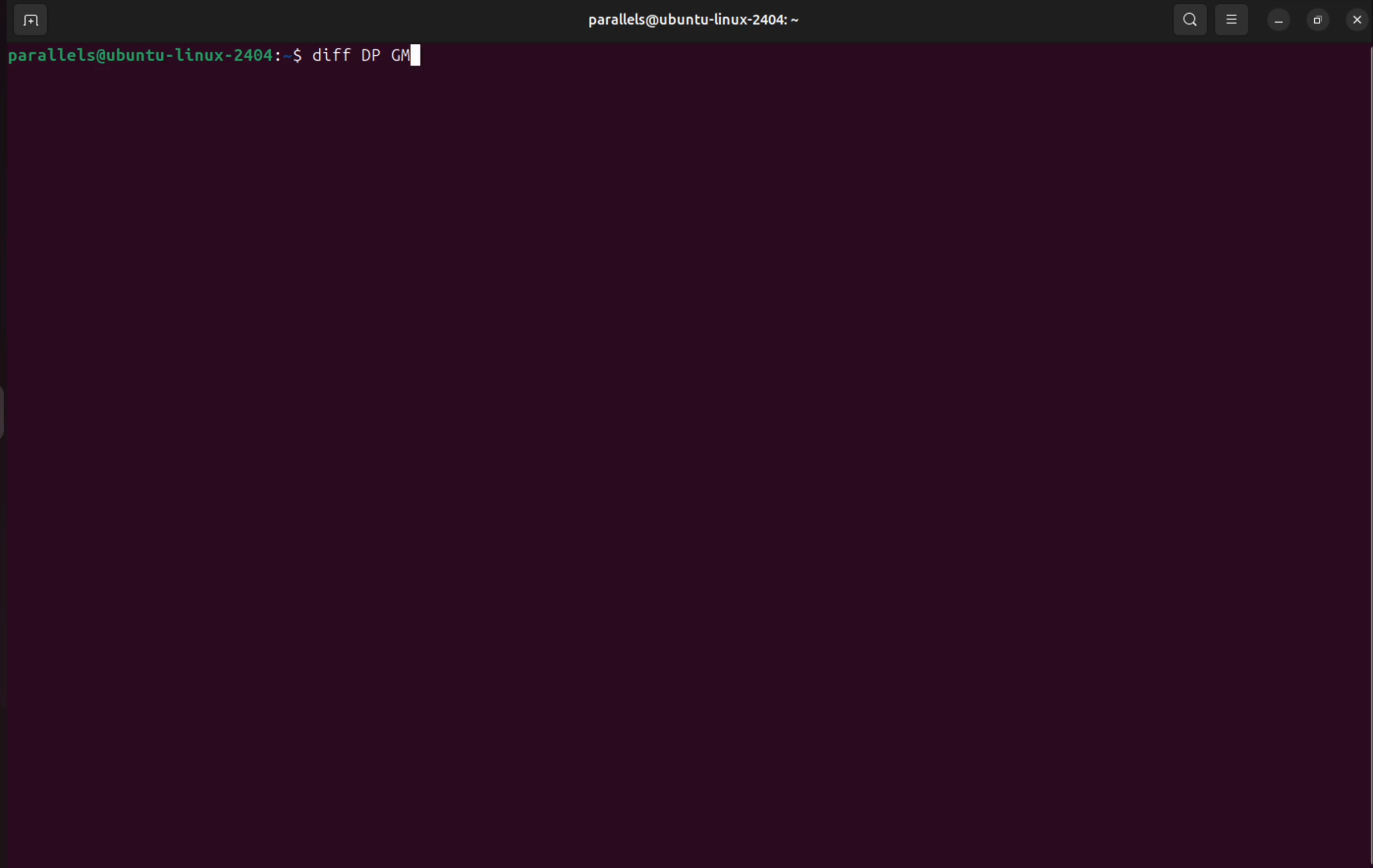 This screenshot has width=1373, height=868. Describe the element at coordinates (701, 20) in the screenshot. I see `user profile` at that location.